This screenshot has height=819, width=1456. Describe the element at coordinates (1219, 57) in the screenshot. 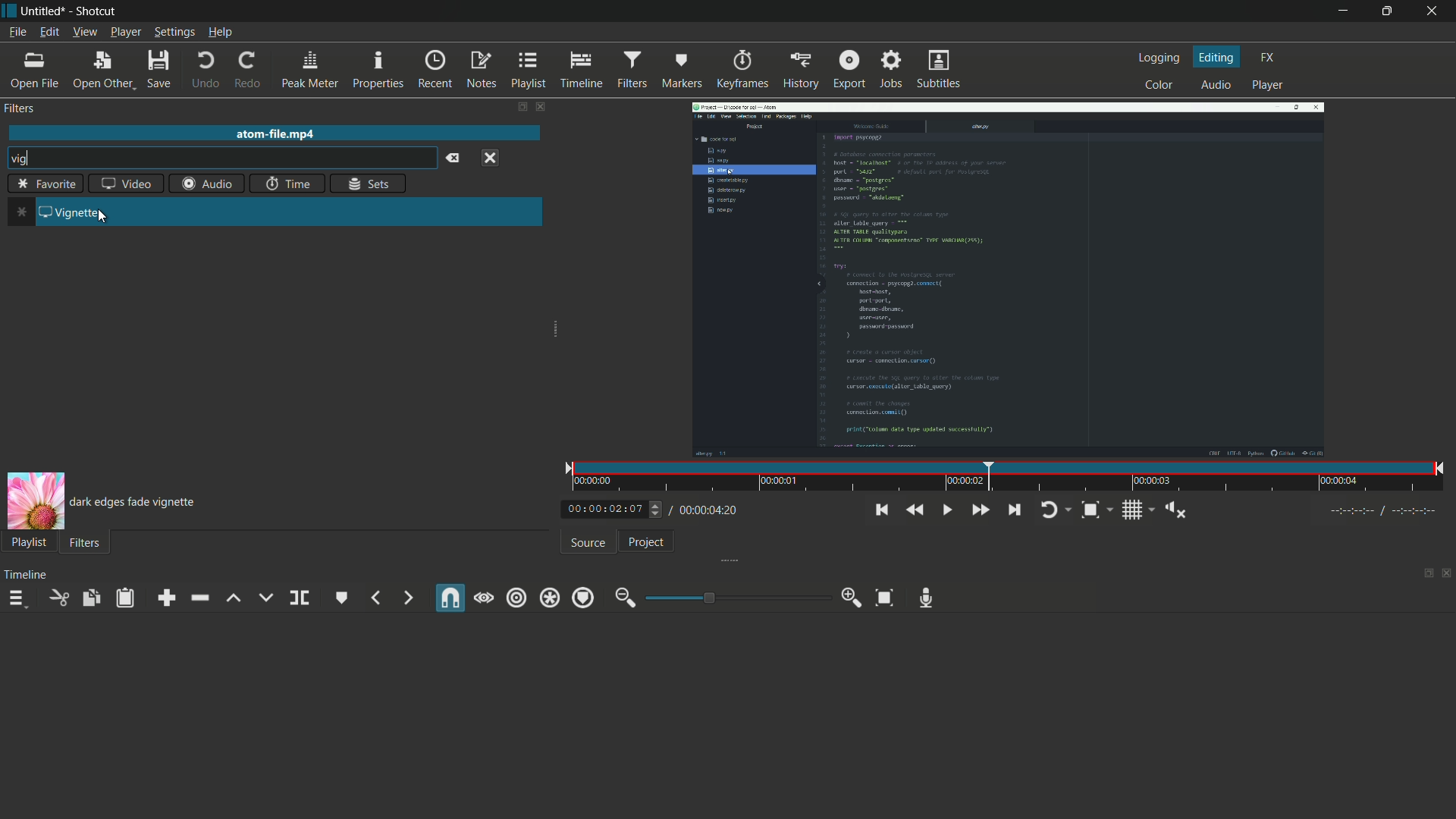

I see `editing` at that location.